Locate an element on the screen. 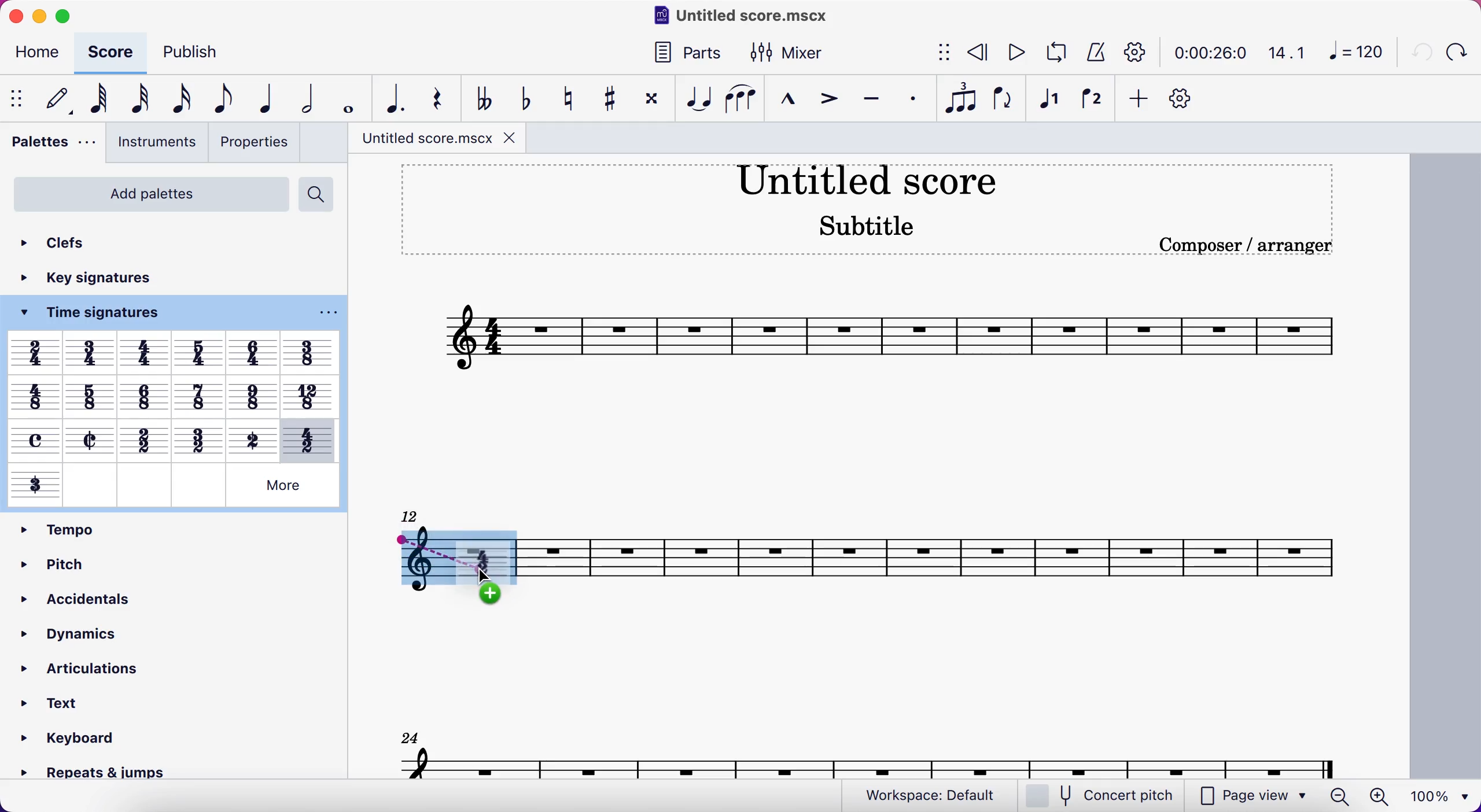 This screenshot has height=812, width=1481. dynamics is located at coordinates (83, 630).